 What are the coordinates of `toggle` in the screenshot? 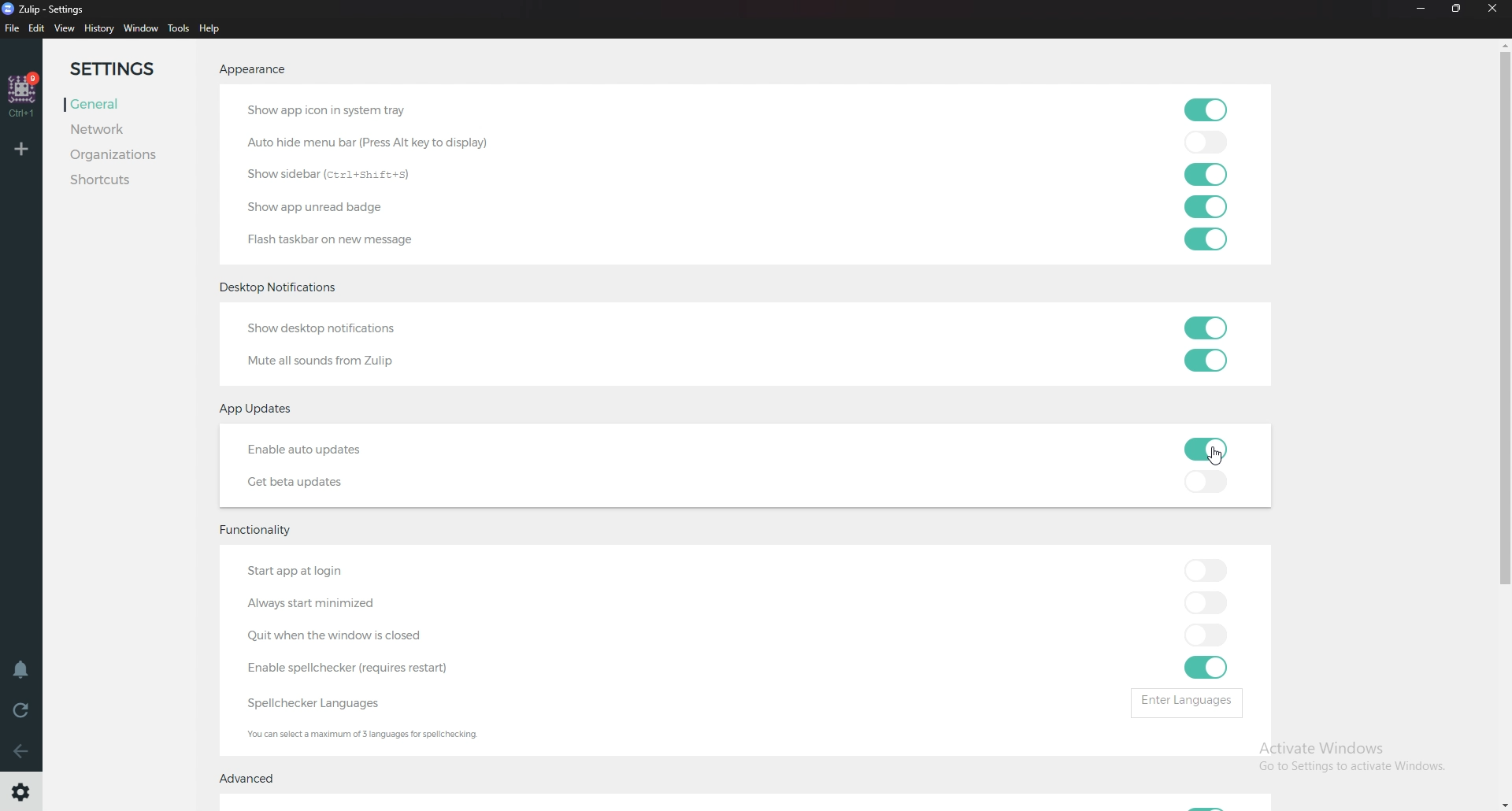 It's located at (1206, 361).